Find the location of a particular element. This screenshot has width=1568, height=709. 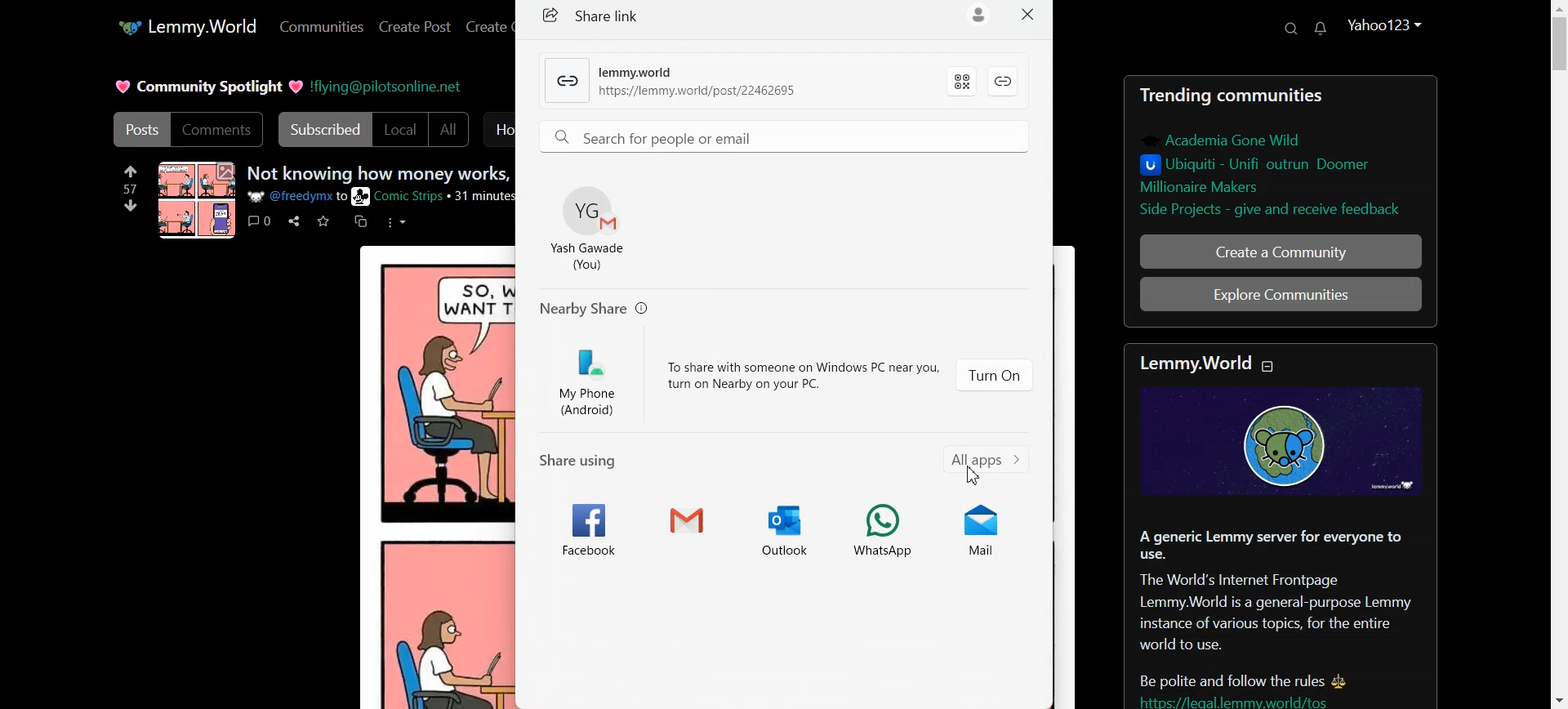

My phone is located at coordinates (593, 379).